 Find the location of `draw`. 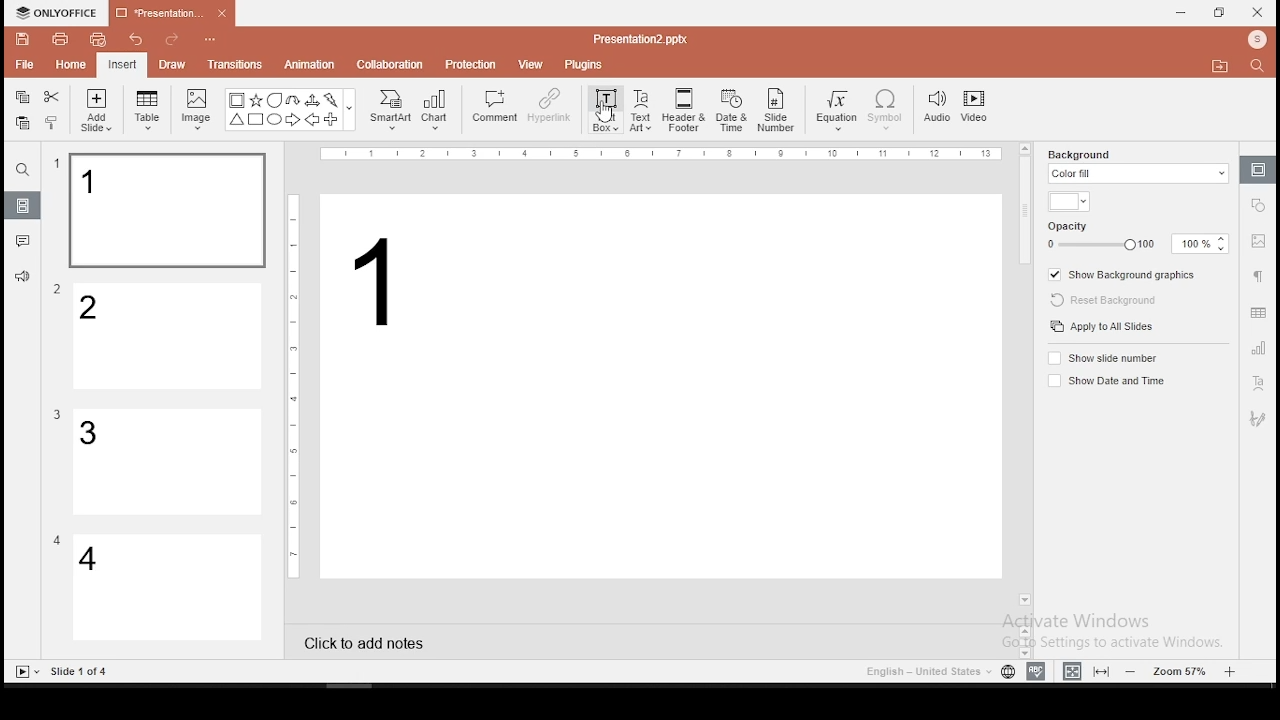

draw is located at coordinates (173, 64).